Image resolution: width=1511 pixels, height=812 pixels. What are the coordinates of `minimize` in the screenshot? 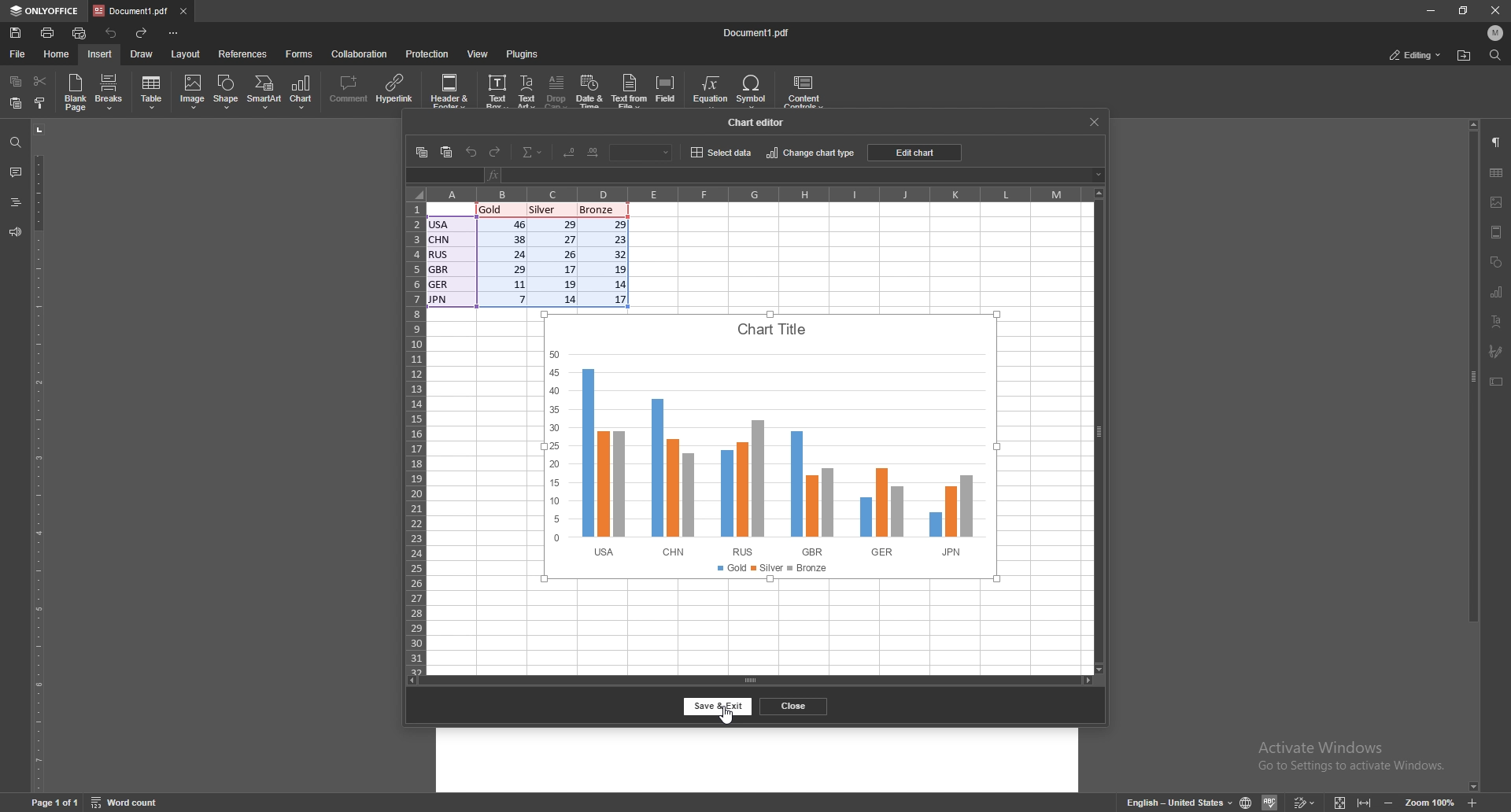 It's located at (1431, 9).